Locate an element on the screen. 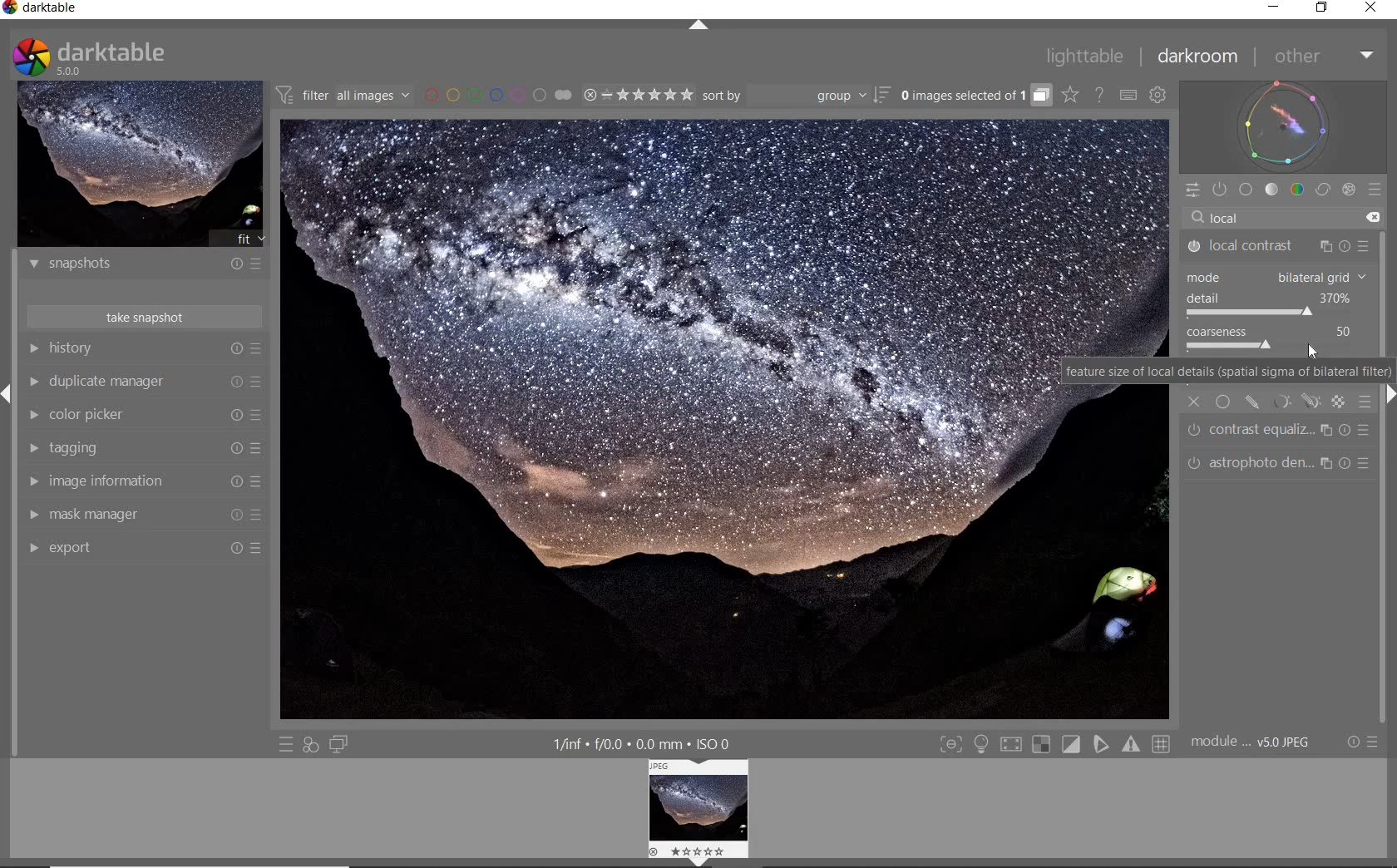 Image resolution: width=1397 pixels, height=868 pixels. mask manager is located at coordinates (97, 511).